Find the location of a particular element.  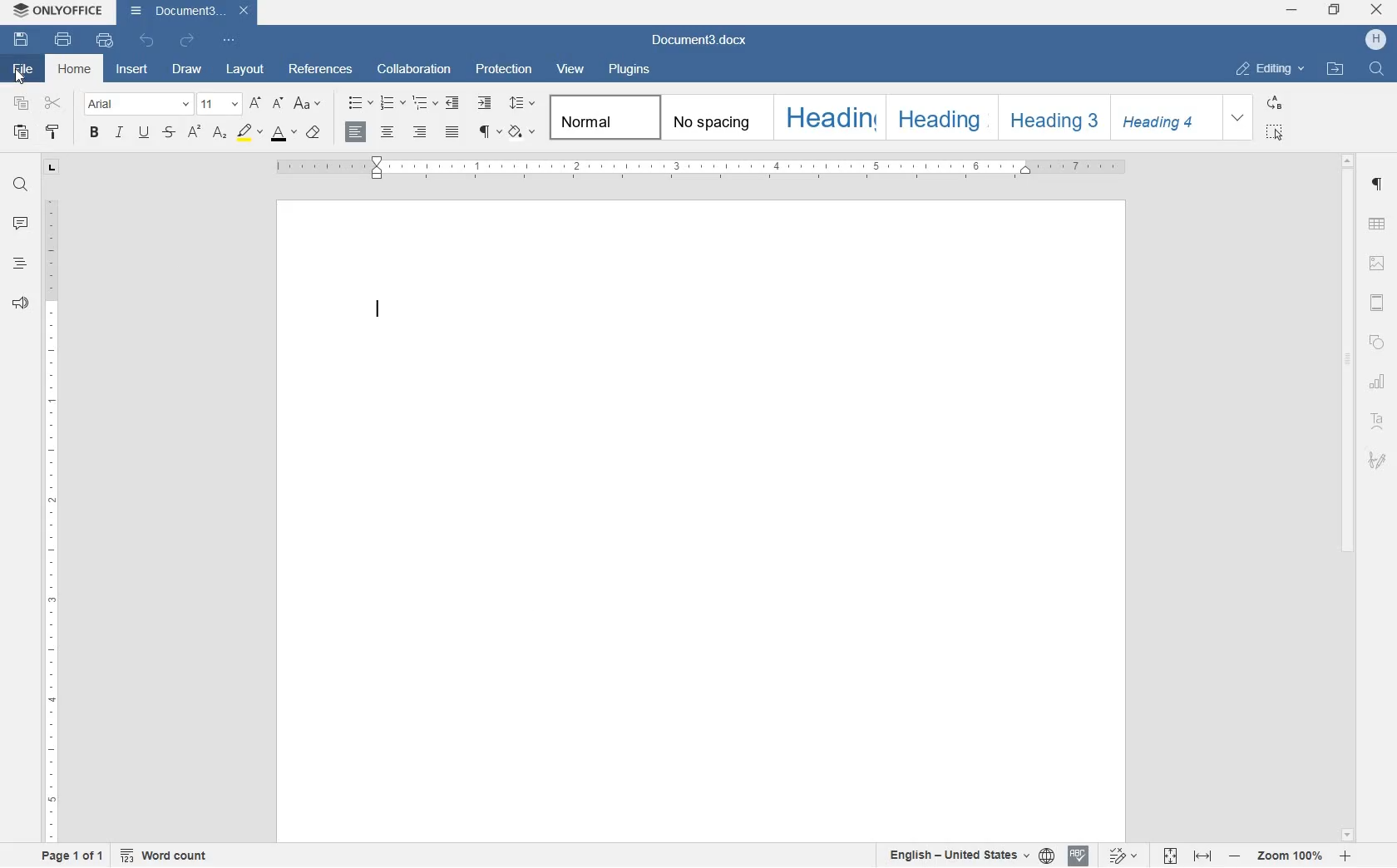

references is located at coordinates (322, 71).